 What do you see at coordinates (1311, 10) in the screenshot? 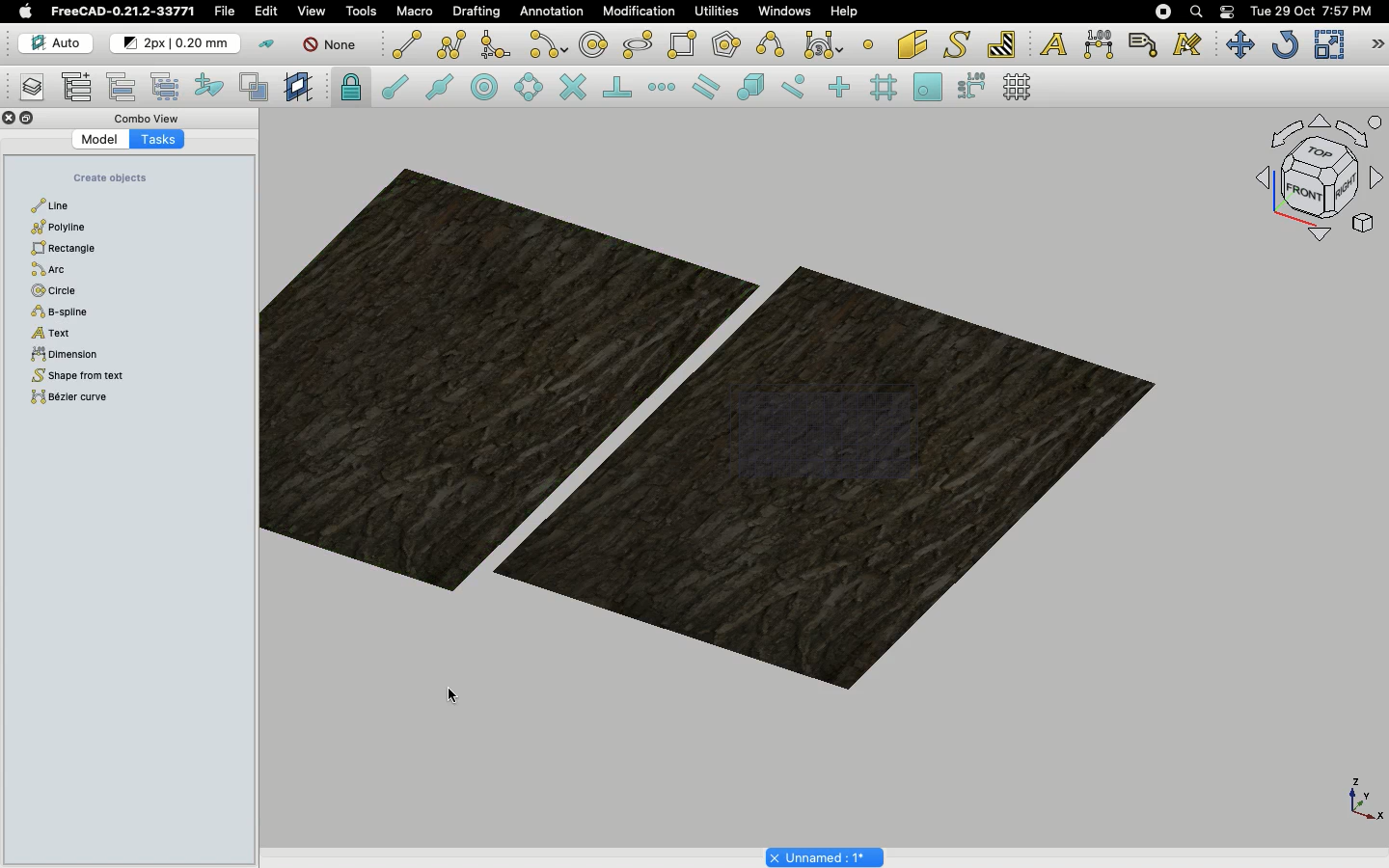
I see `Date/time` at bounding box center [1311, 10].